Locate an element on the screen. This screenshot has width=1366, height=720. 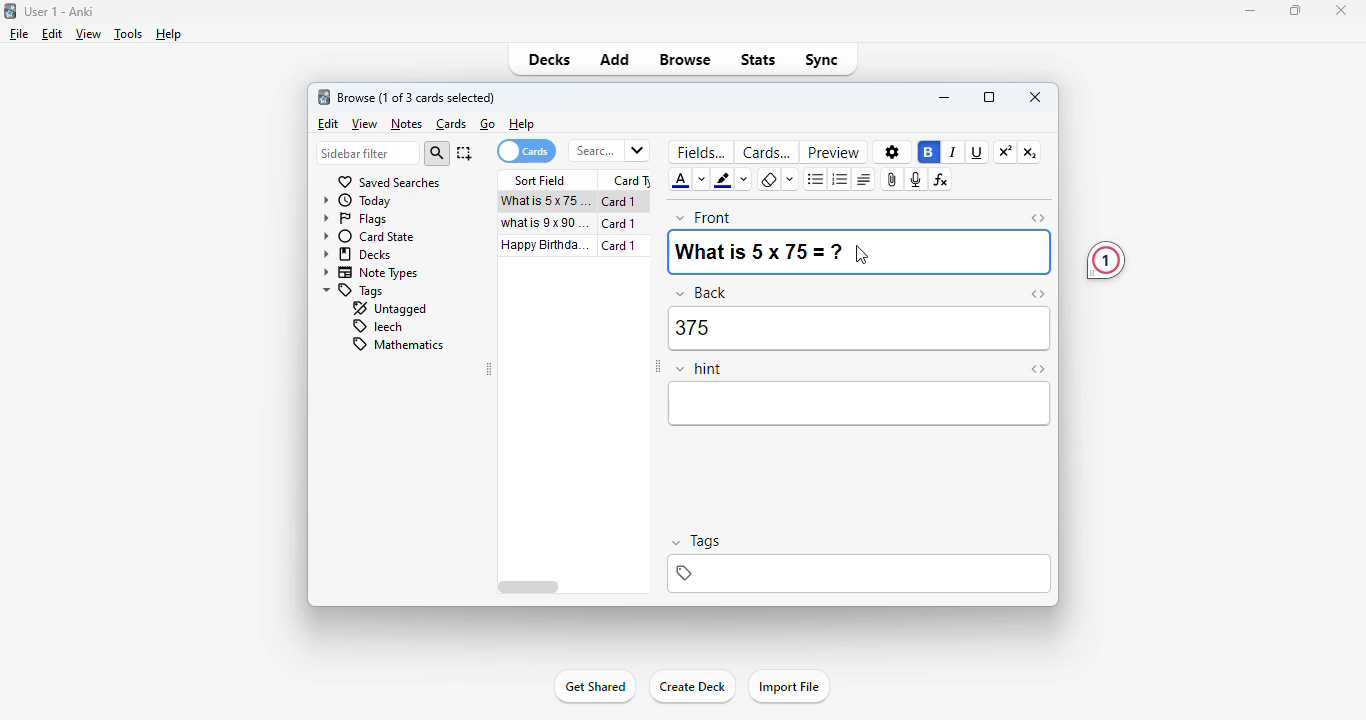
front is located at coordinates (703, 218).